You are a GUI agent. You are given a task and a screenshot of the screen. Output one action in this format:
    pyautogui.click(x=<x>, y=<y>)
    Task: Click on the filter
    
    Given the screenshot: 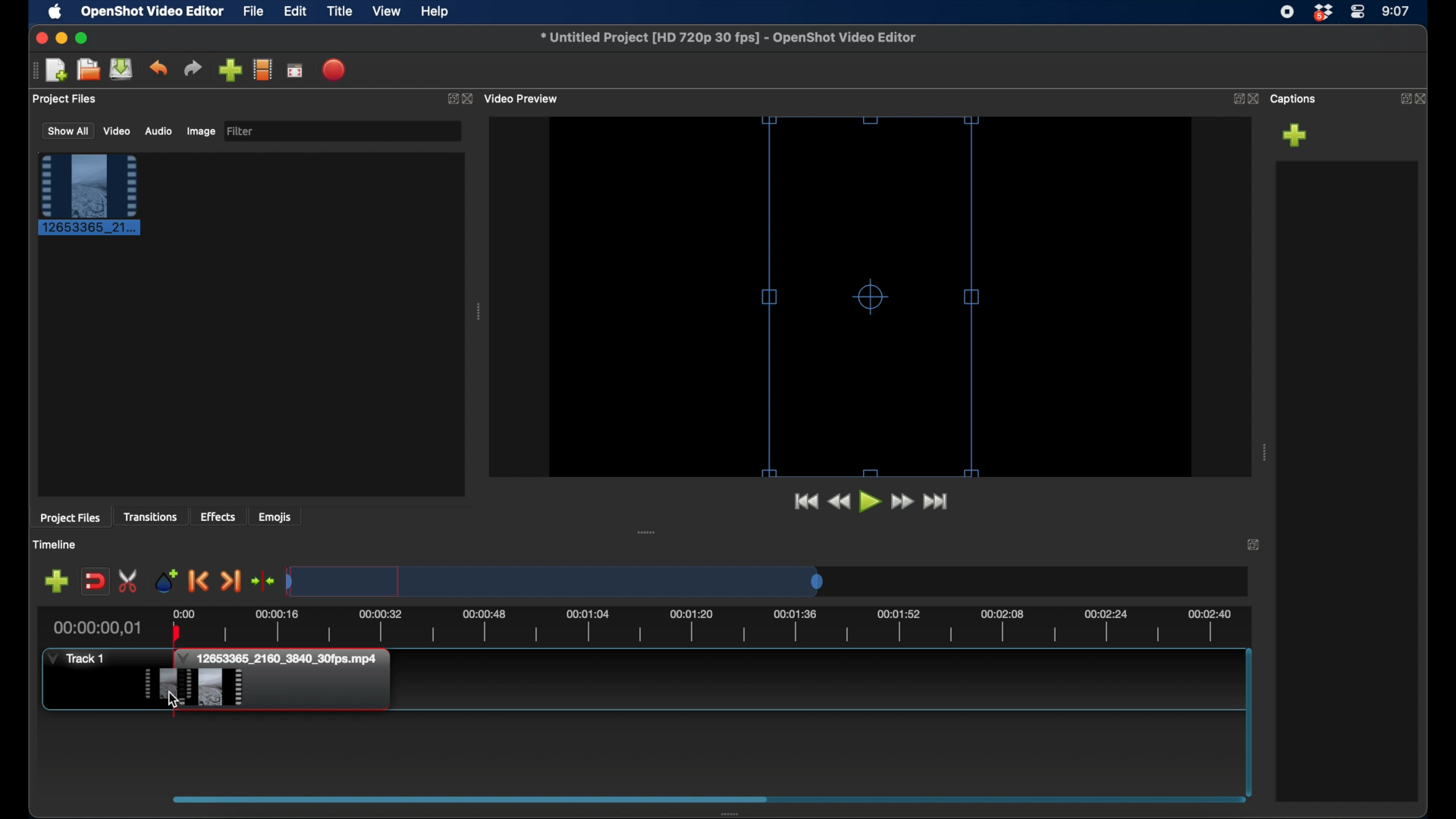 What is the action you would take?
    pyautogui.click(x=241, y=130)
    